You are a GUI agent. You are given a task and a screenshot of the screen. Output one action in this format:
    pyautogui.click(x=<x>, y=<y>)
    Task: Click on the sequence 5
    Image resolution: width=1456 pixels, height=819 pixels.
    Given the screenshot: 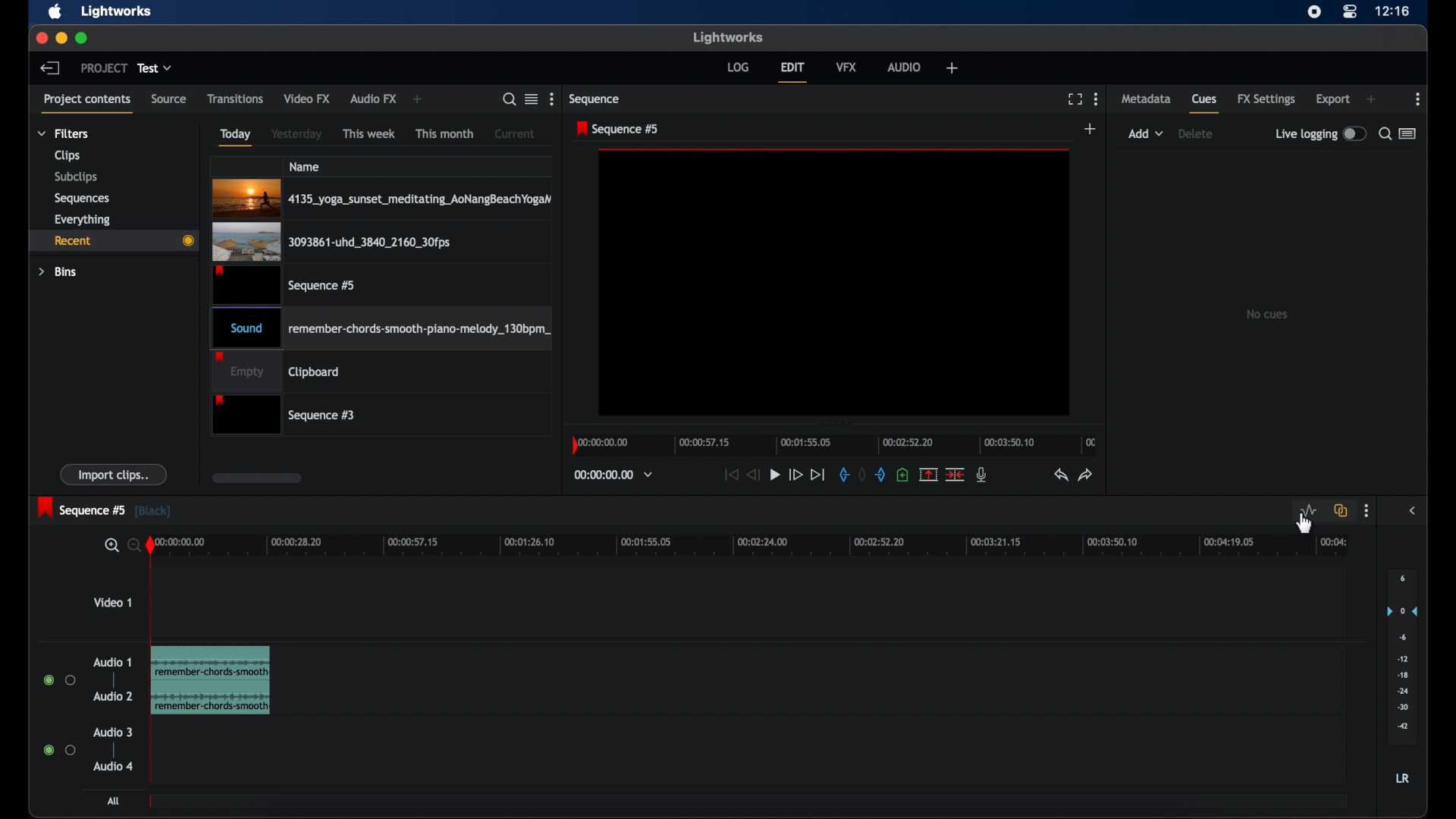 What is the action you would take?
    pyautogui.click(x=104, y=508)
    